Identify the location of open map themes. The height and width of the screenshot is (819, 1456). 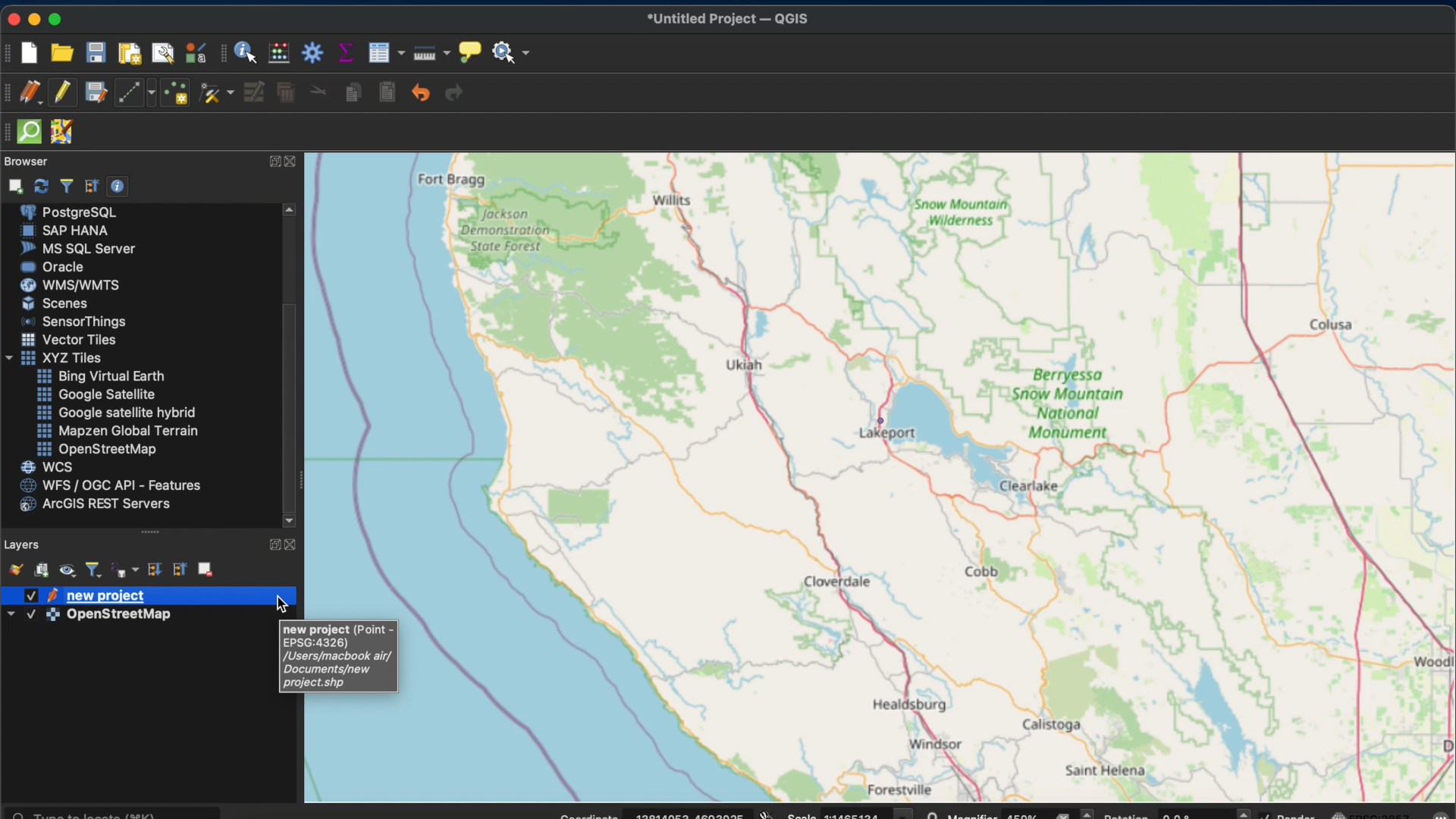
(67, 572).